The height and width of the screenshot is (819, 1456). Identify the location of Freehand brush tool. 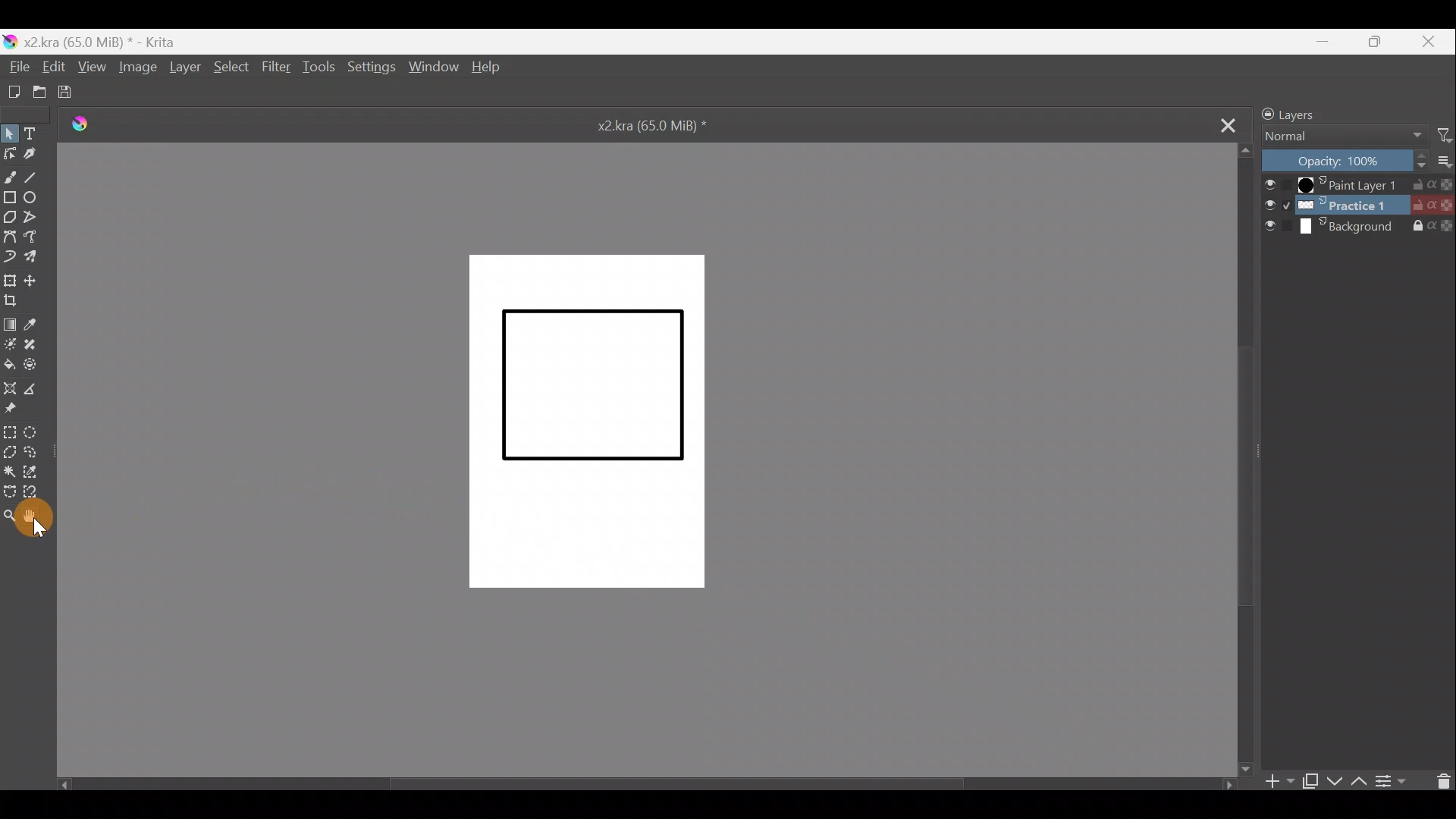
(10, 174).